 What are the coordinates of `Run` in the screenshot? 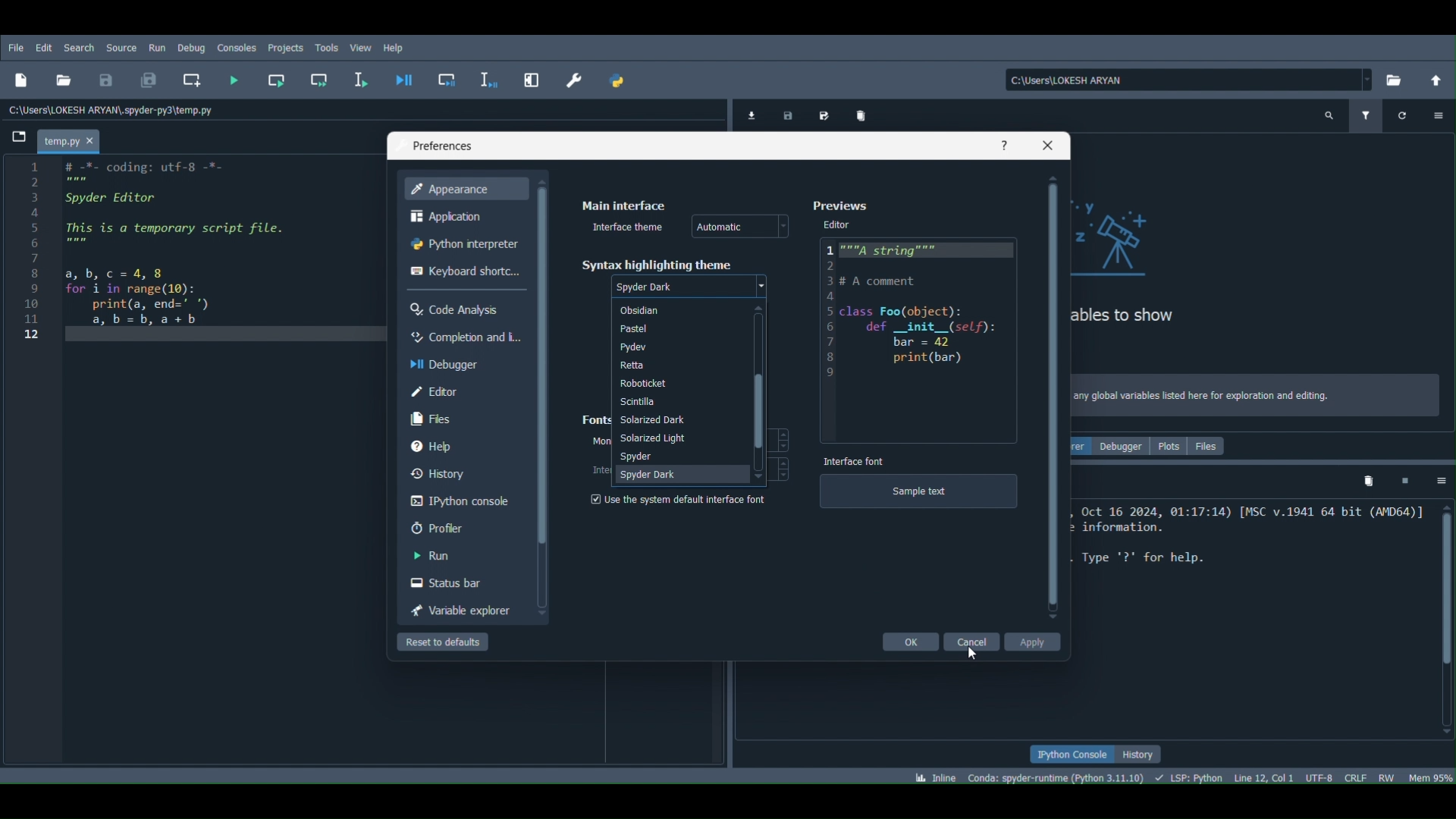 It's located at (158, 47).